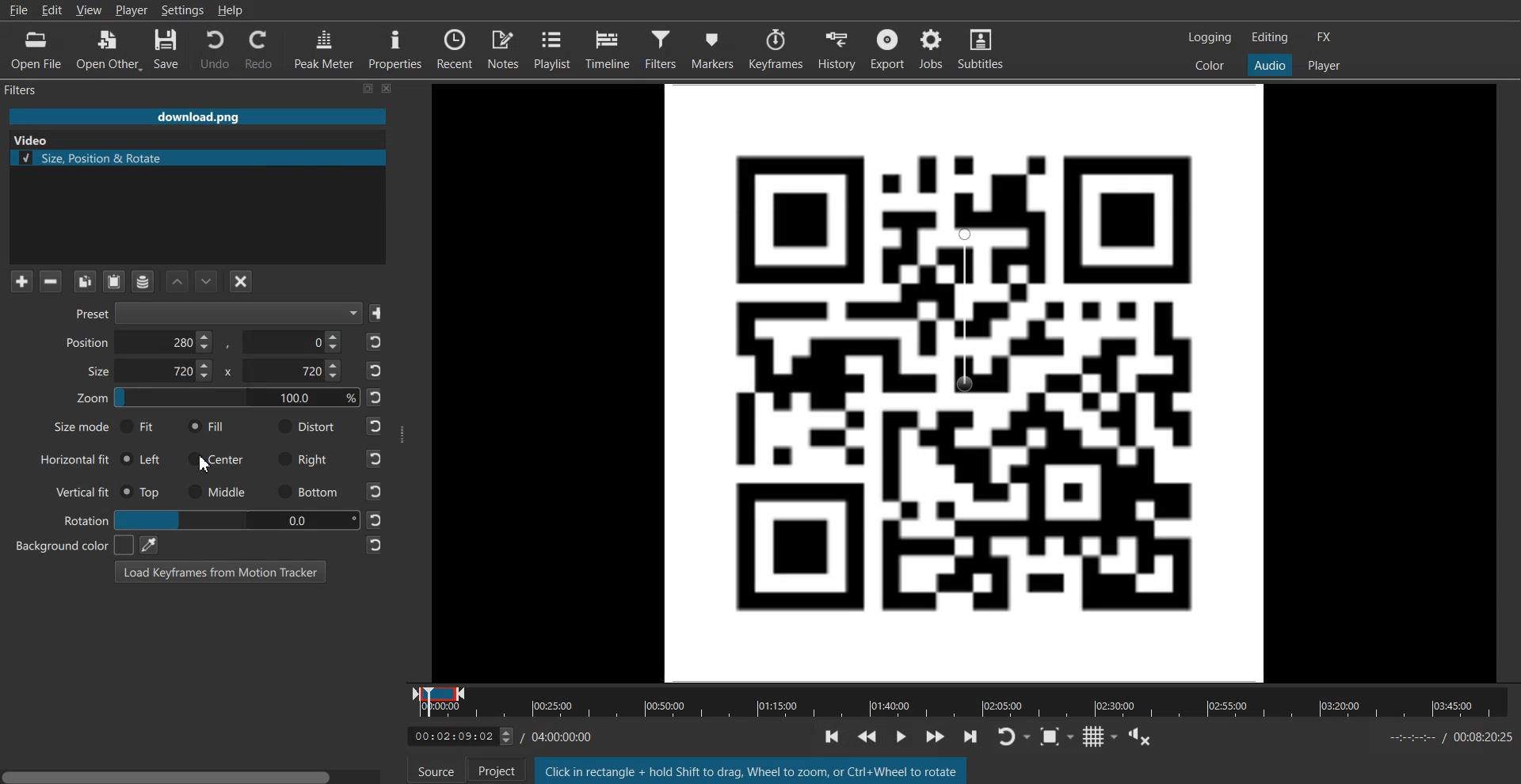  Describe the element at coordinates (29, 90) in the screenshot. I see `Text 1` at that location.